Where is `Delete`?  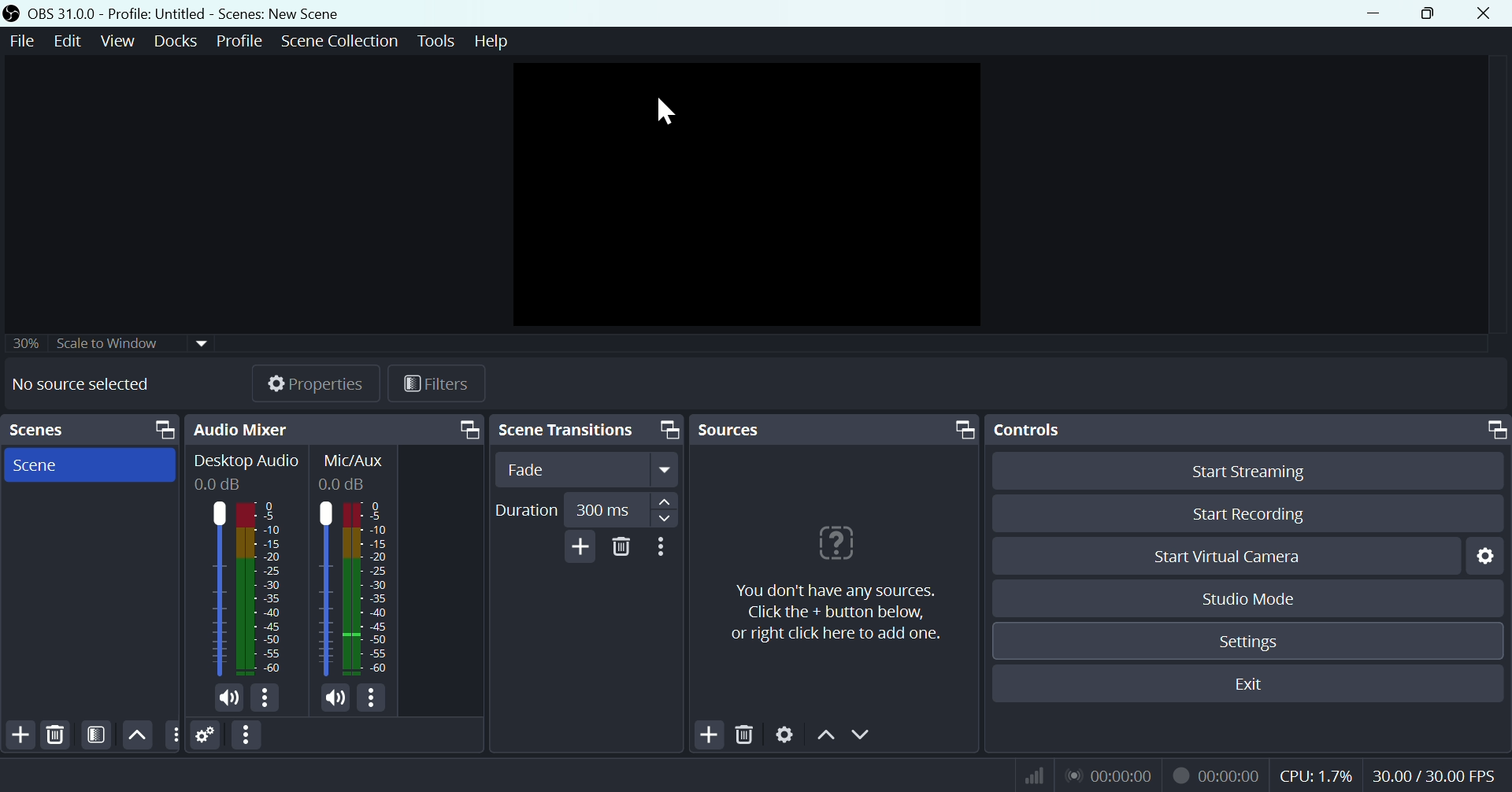
Delete is located at coordinates (57, 734).